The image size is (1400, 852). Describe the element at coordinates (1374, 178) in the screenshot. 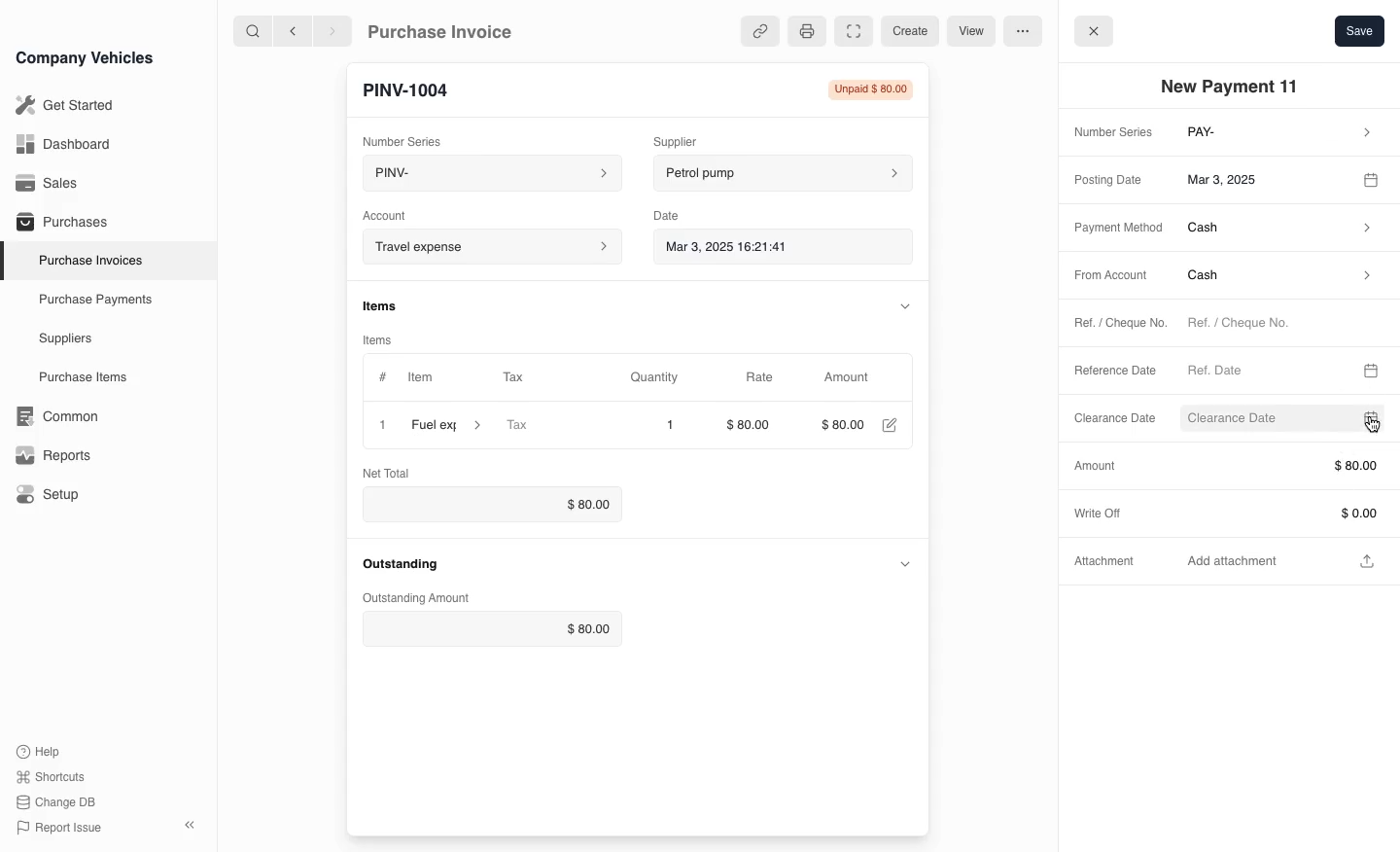

I see `calender` at that location.